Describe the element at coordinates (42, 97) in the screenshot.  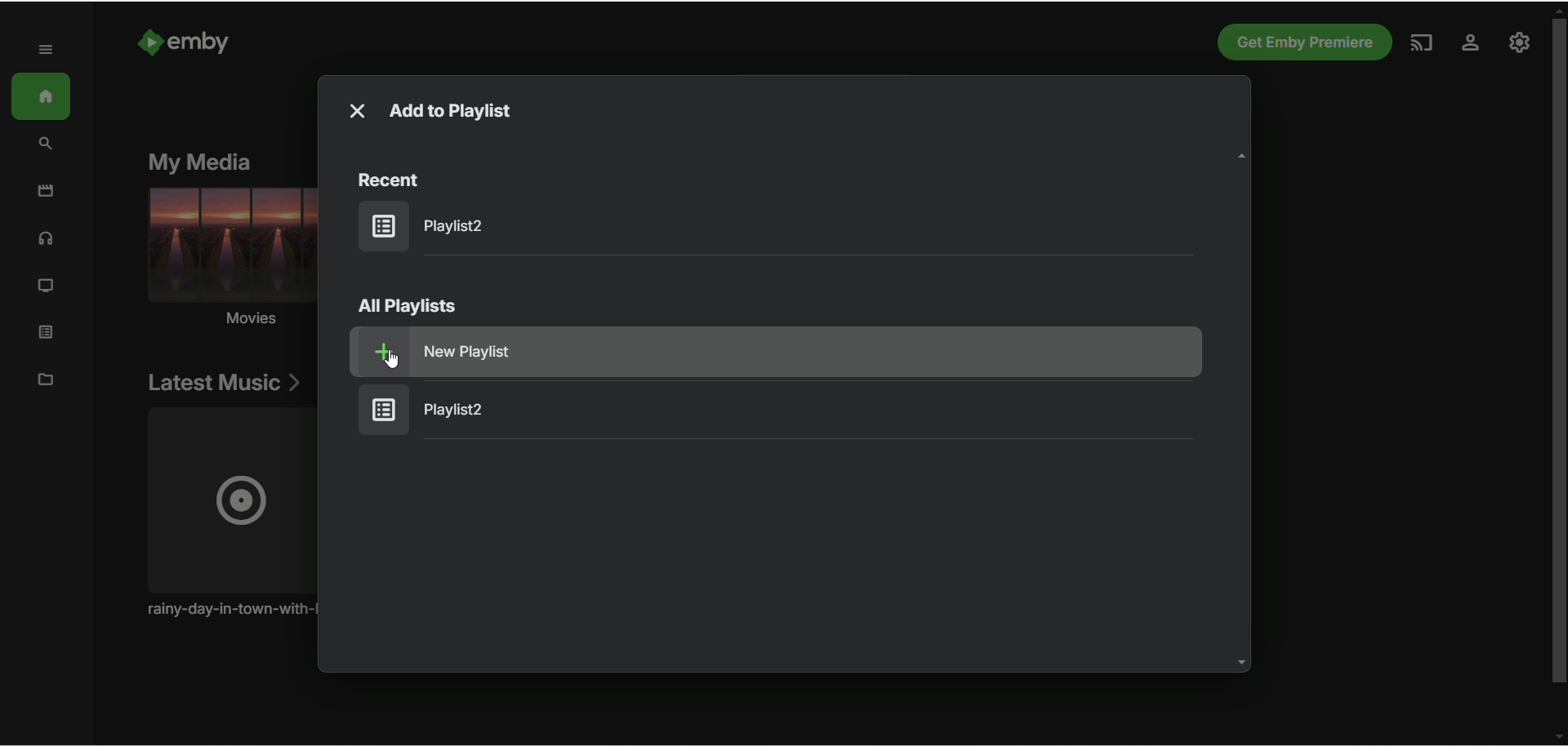
I see `home` at that location.